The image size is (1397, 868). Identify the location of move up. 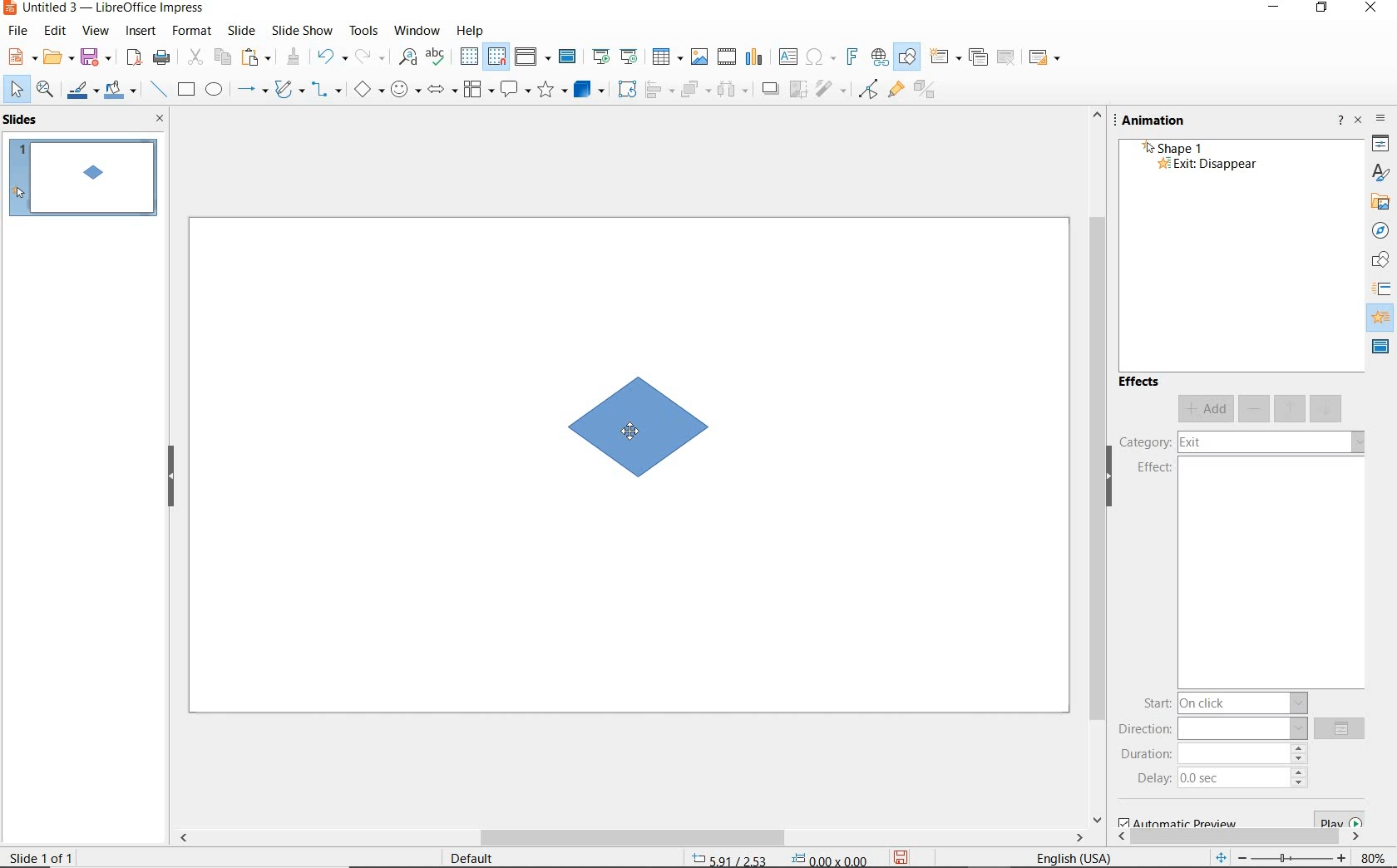
(1291, 409).